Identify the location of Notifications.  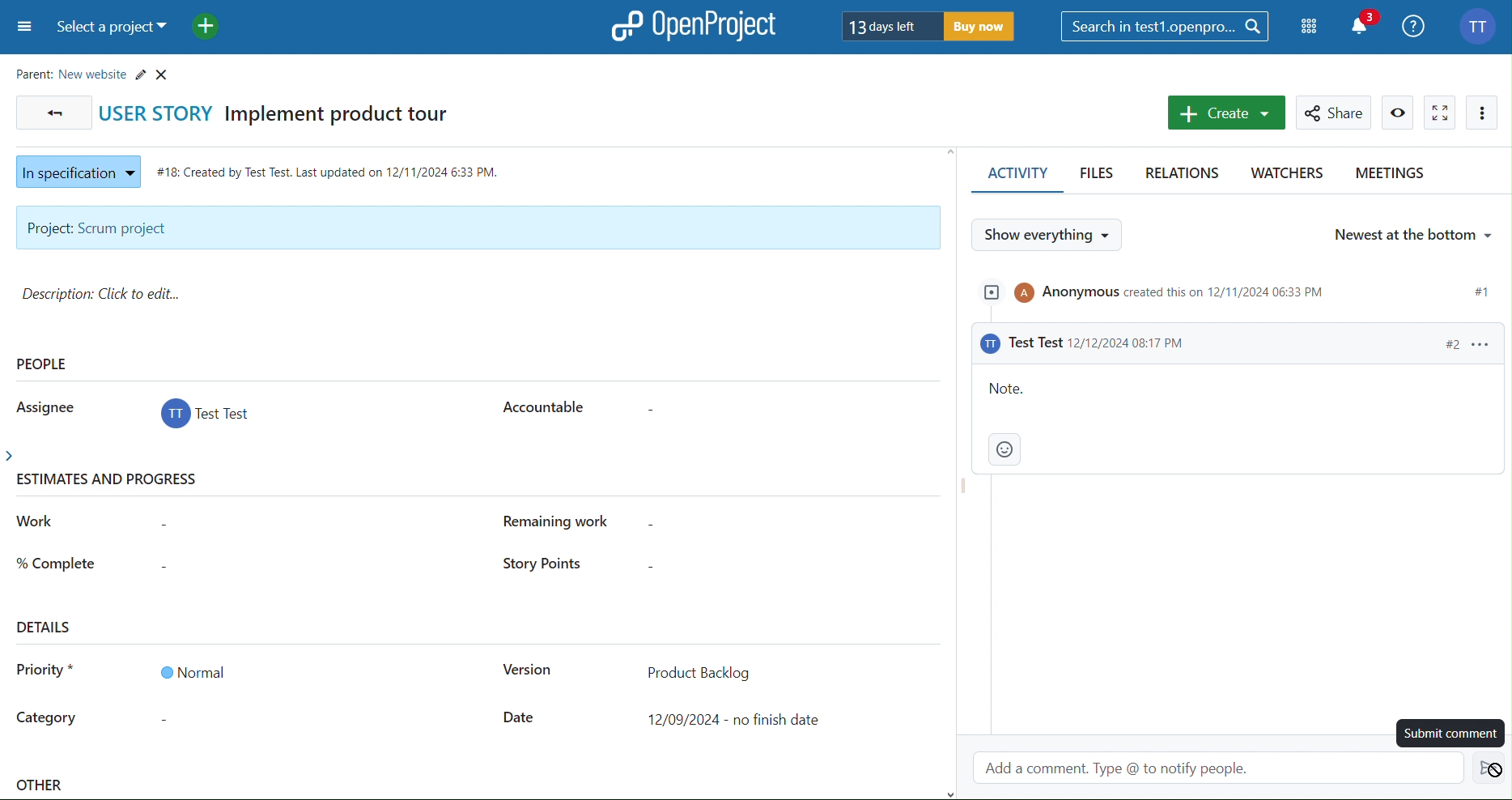
(1365, 24).